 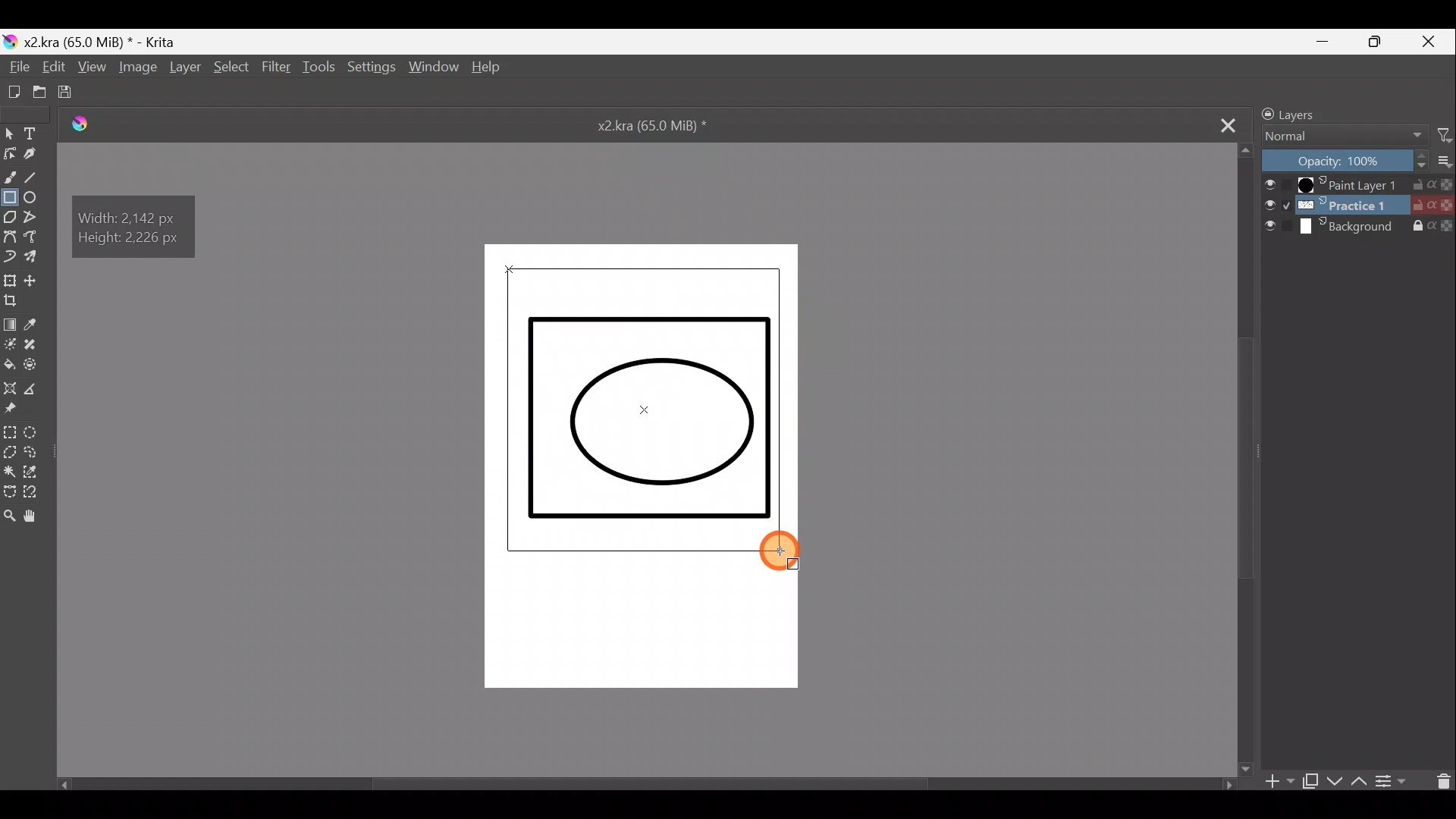 I want to click on Select, so click(x=234, y=68).